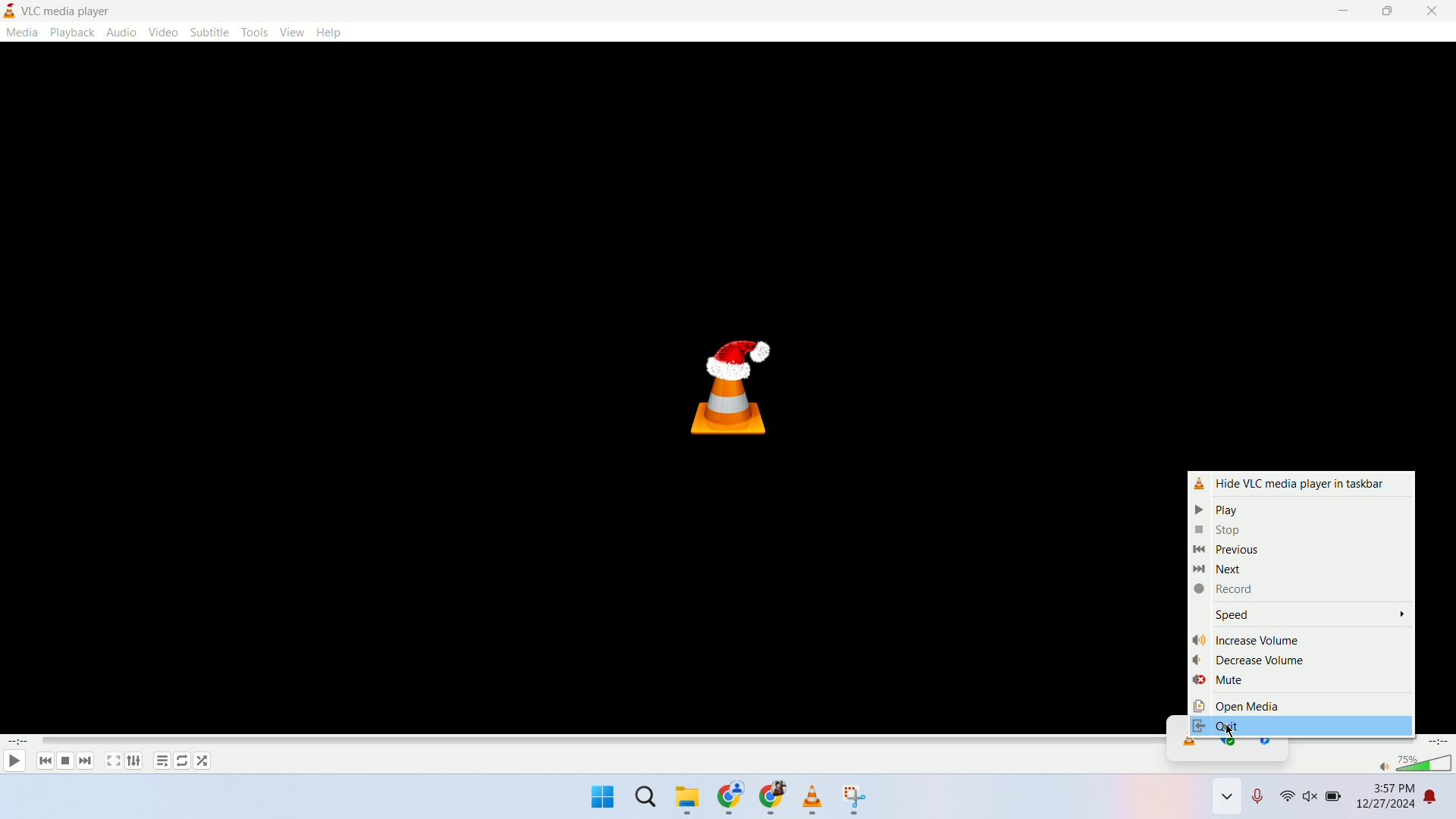 The image size is (1456, 819). What do you see at coordinates (71, 32) in the screenshot?
I see `Playback` at bounding box center [71, 32].